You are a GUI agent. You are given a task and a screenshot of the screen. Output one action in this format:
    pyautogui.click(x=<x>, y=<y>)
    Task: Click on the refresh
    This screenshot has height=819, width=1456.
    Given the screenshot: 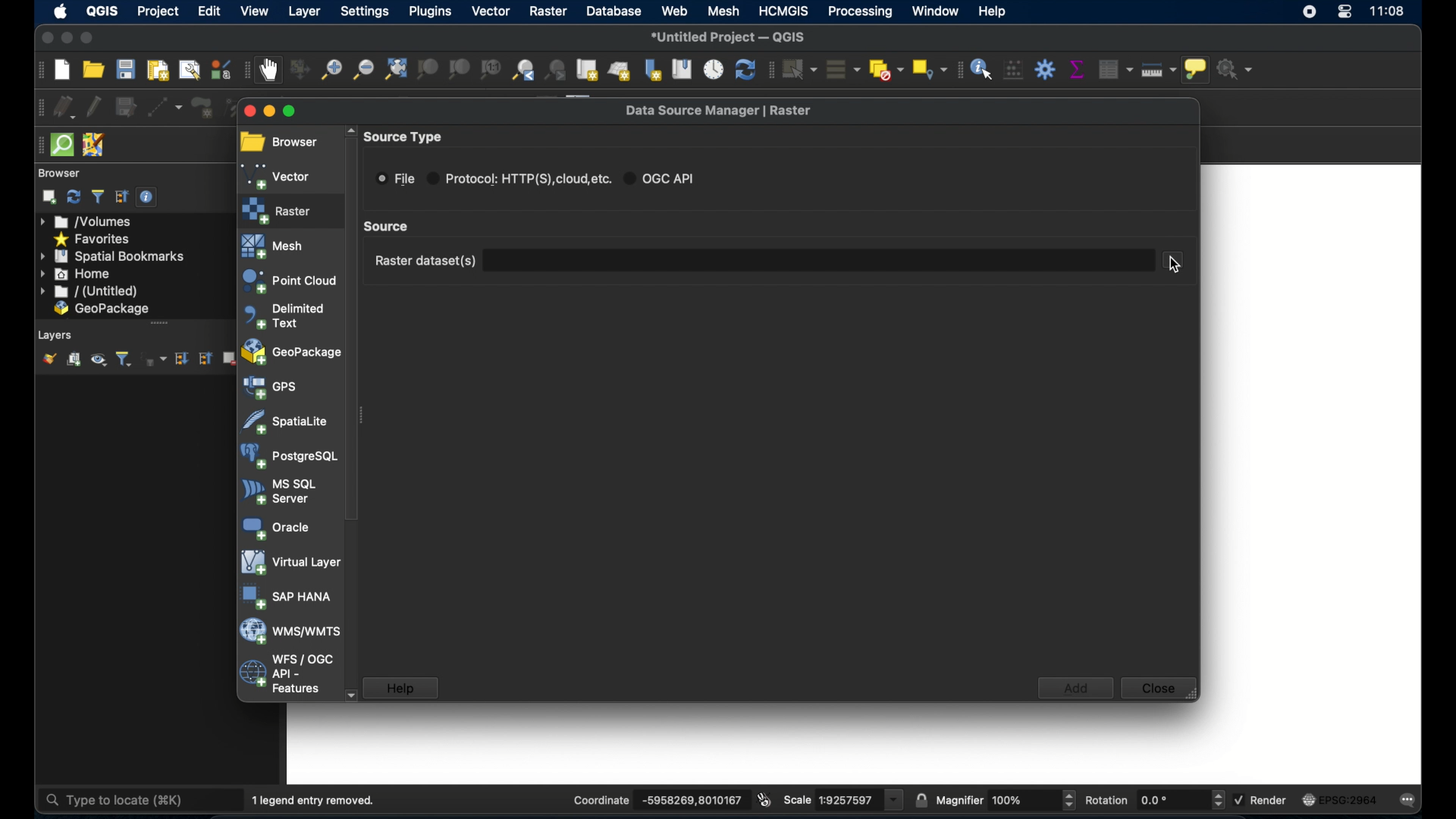 What is the action you would take?
    pyautogui.click(x=74, y=197)
    